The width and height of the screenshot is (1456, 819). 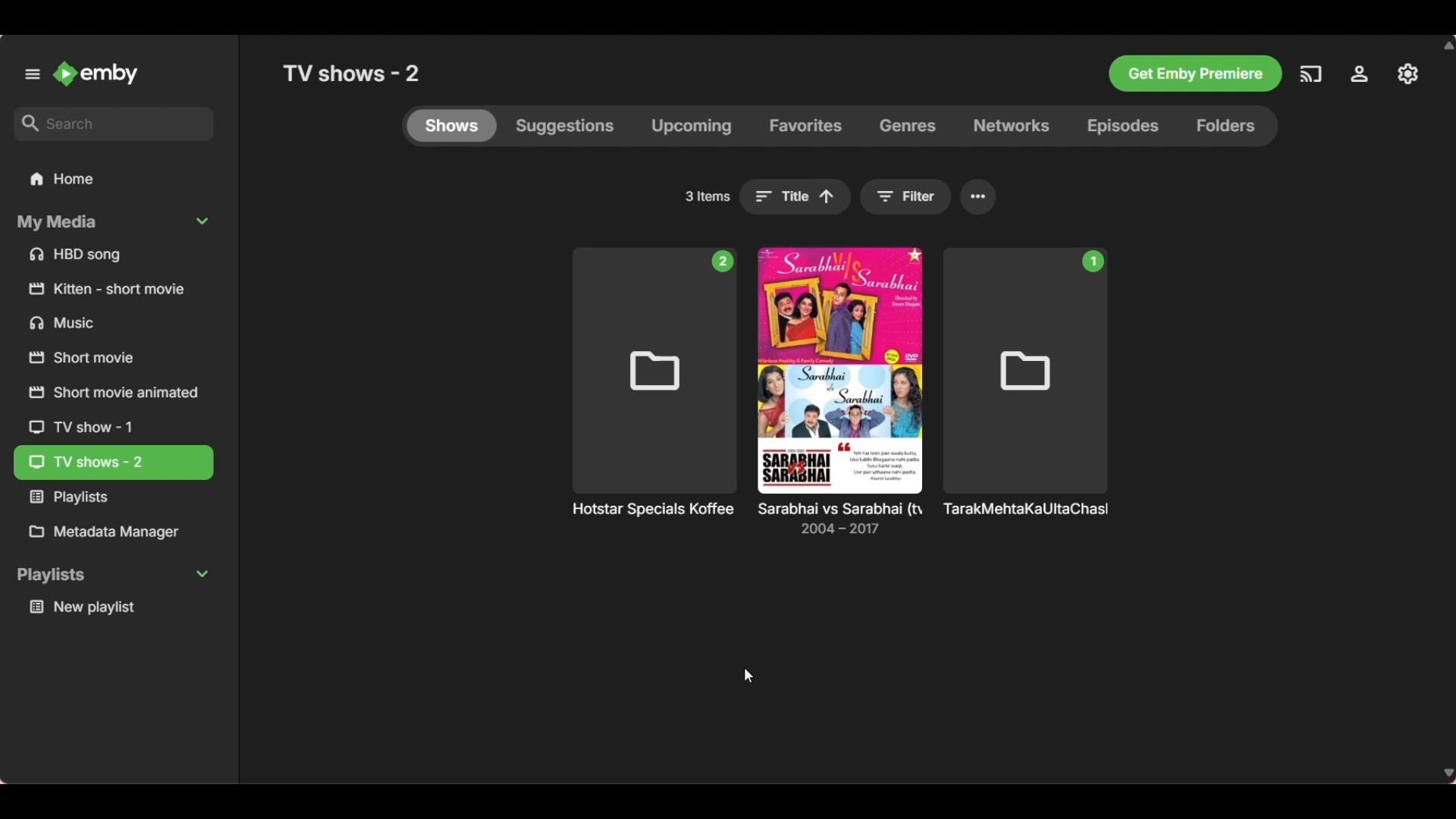 What do you see at coordinates (1408, 73) in the screenshot?
I see `` at bounding box center [1408, 73].